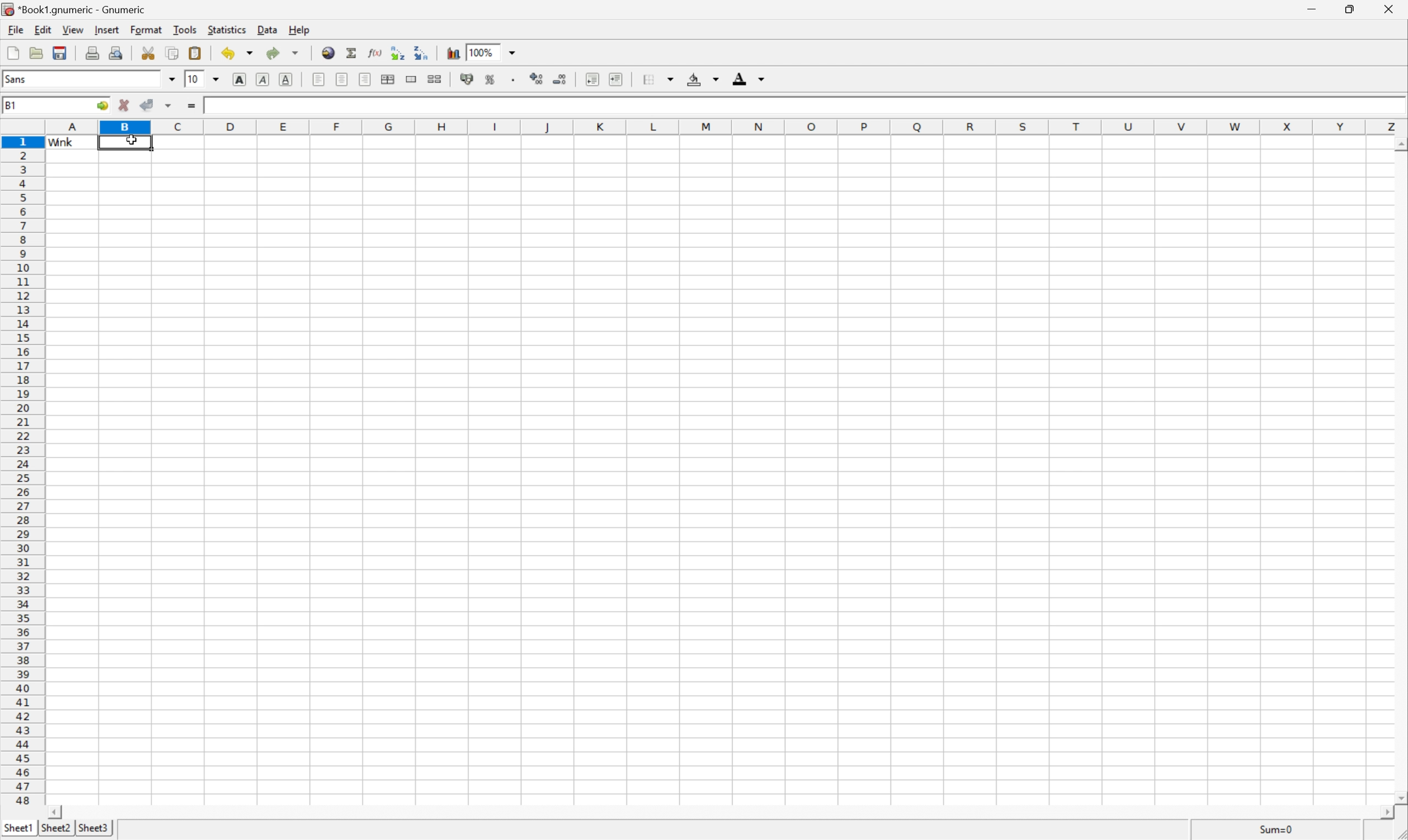 This screenshot has height=840, width=1408. I want to click on center horizontally, so click(343, 79).